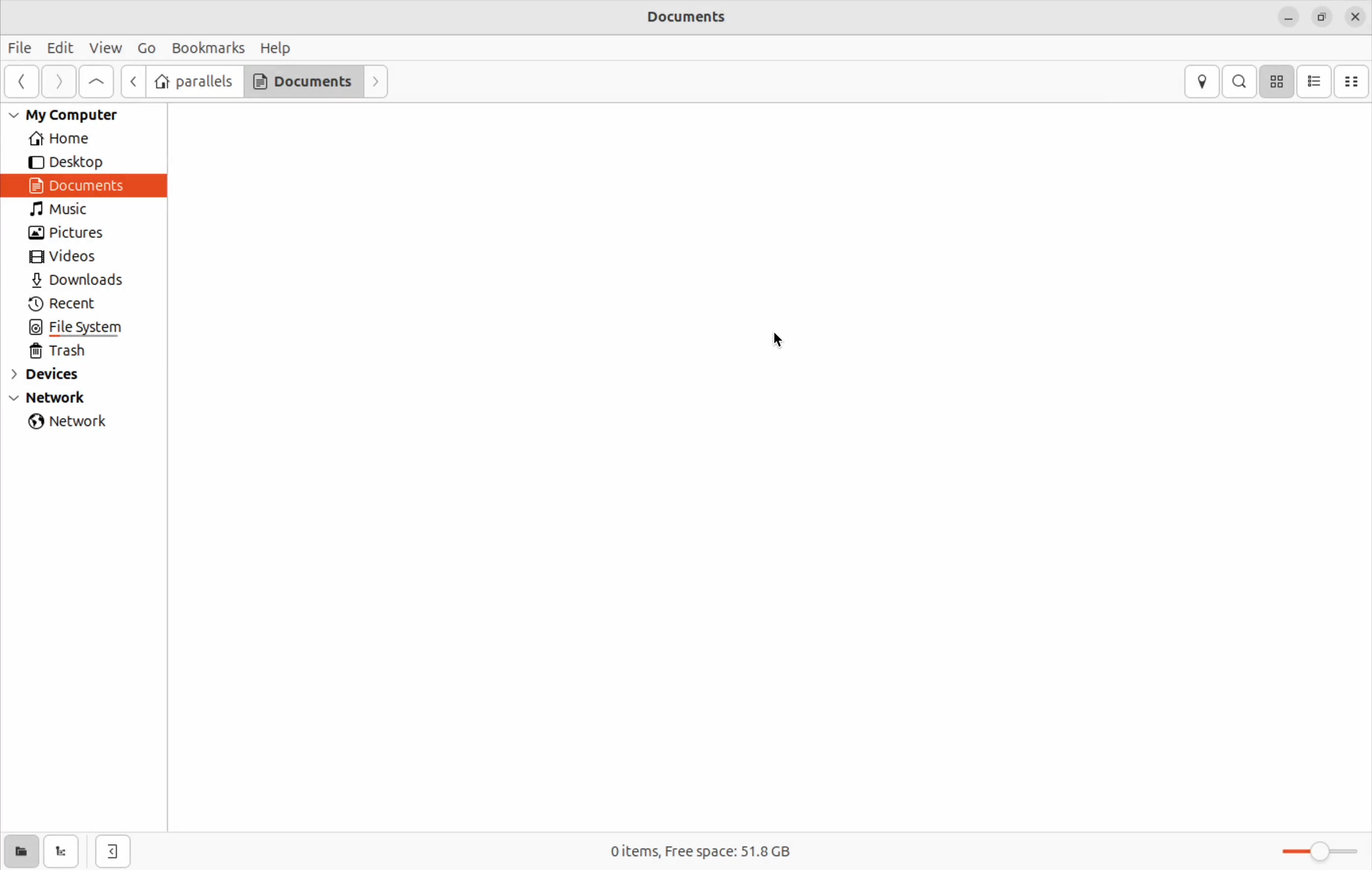  I want to click on File, so click(19, 48).